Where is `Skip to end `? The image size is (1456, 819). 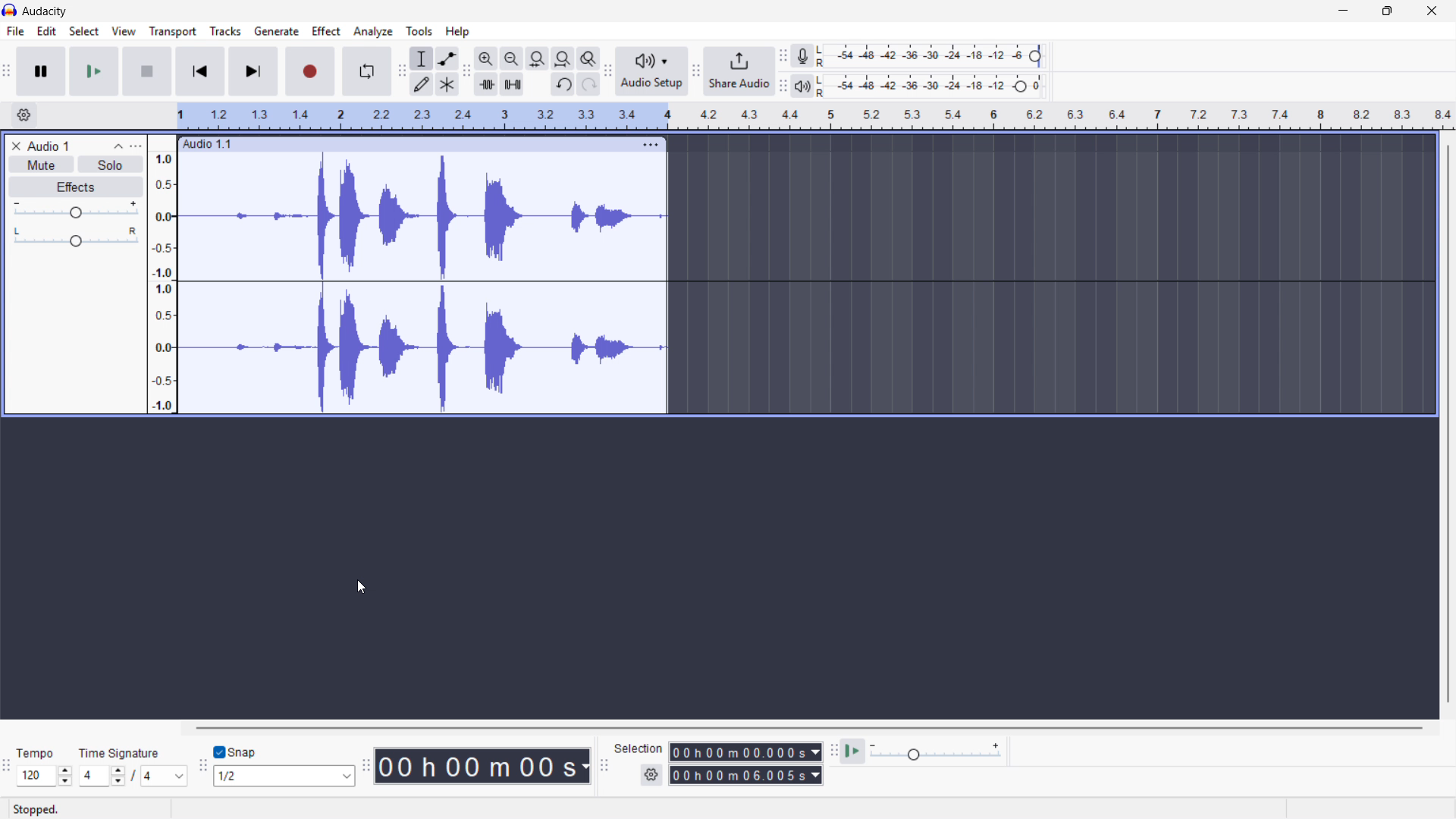 Skip to end  is located at coordinates (254, 71).